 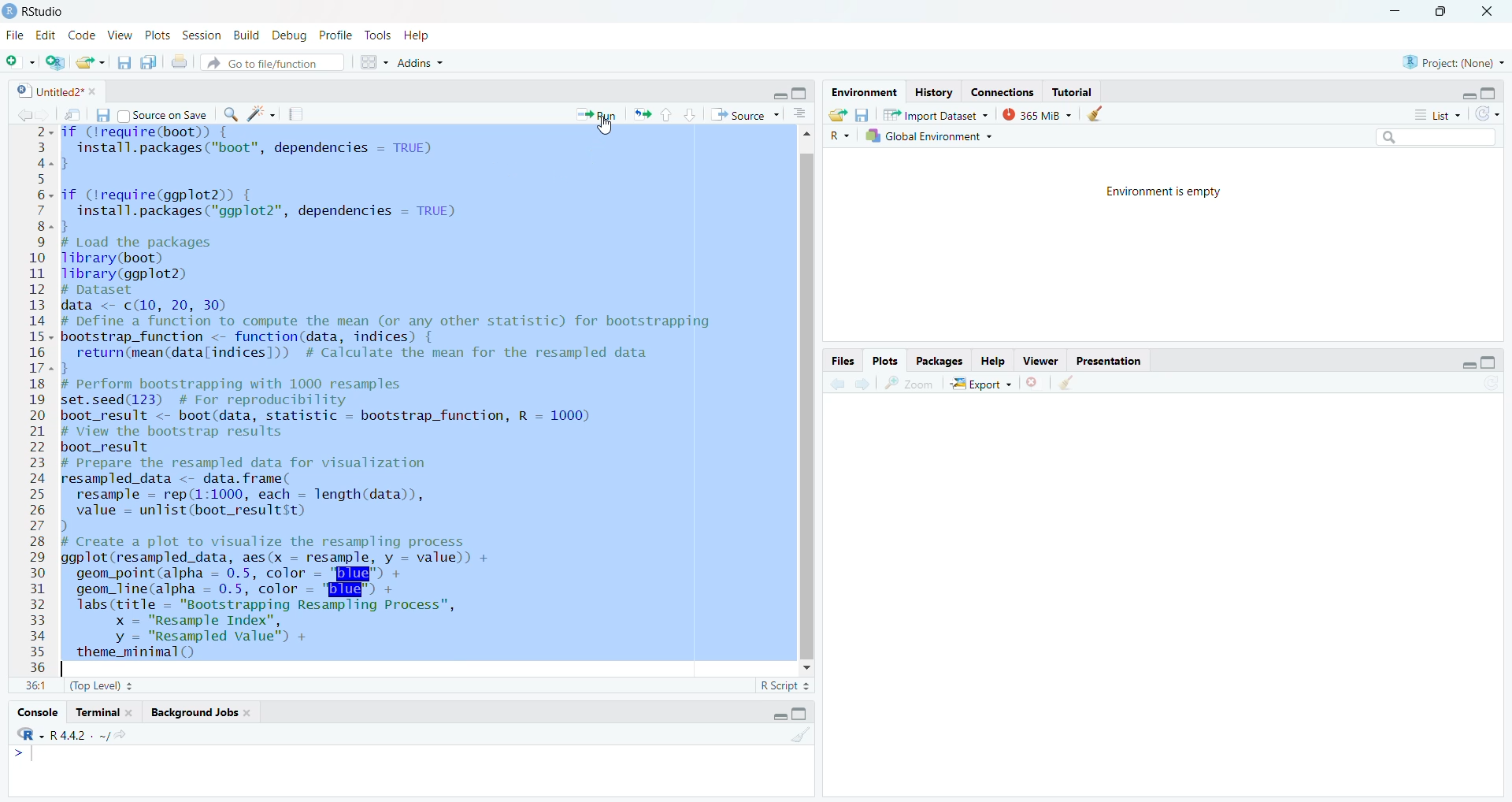 I want to click on go forward, so click(x=864, y=384).